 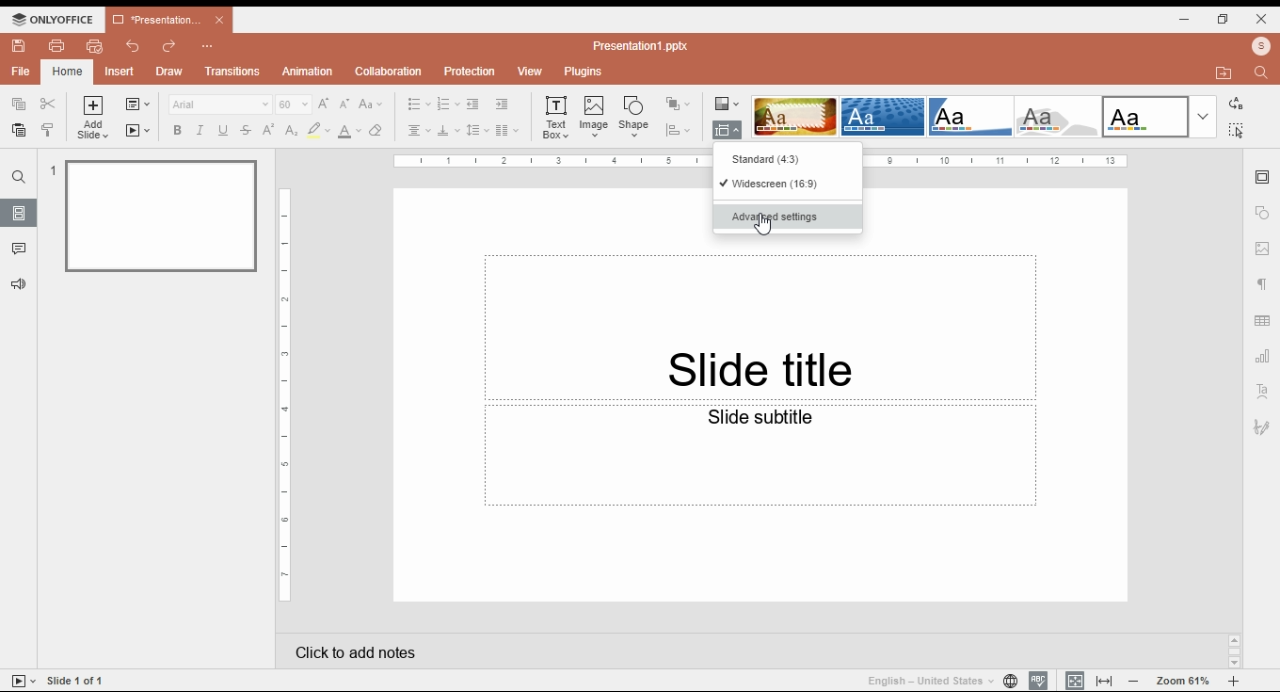 I want to click on Slide 1 of 1, so click(x=79, y=680).